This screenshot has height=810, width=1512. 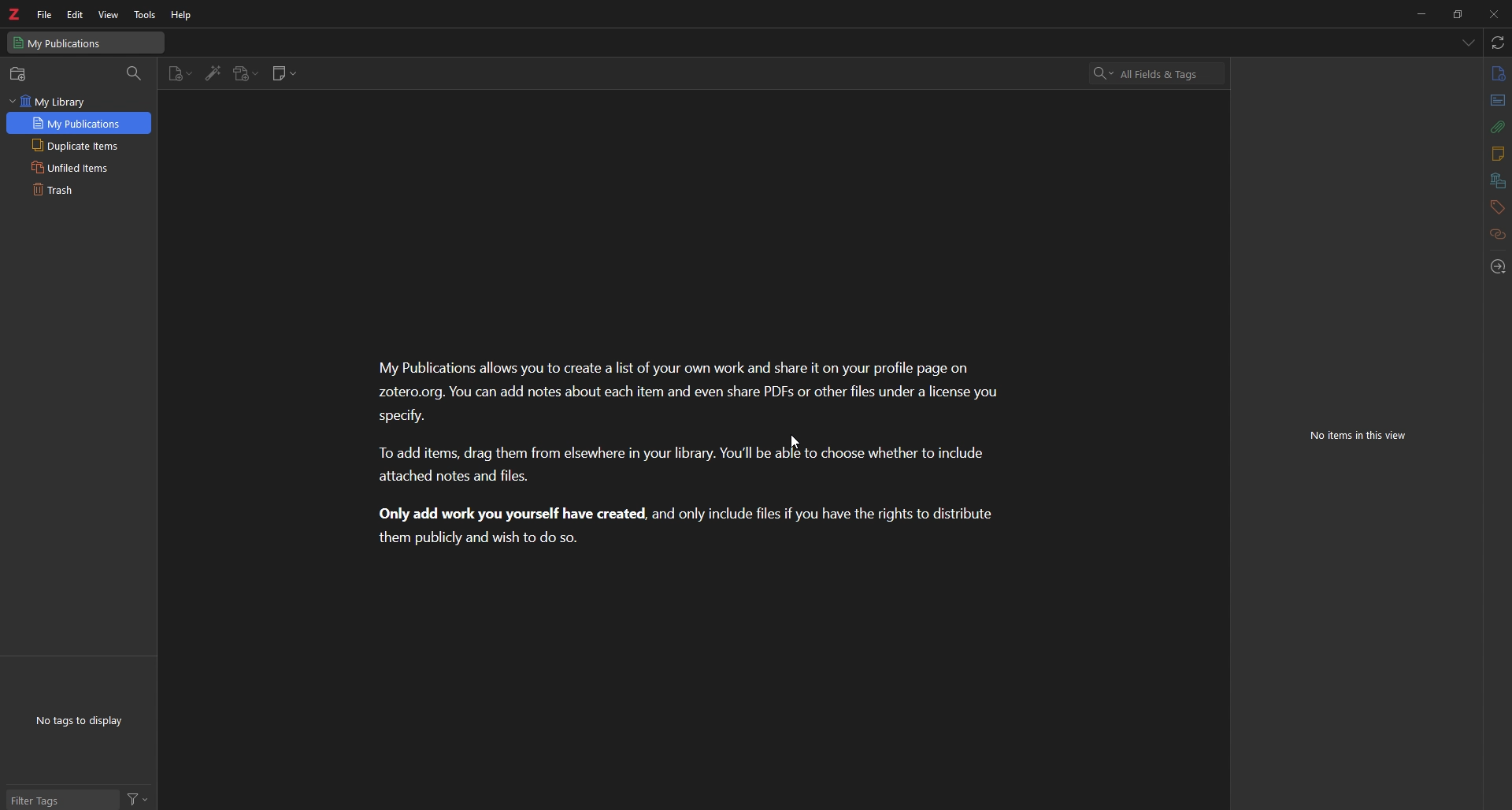 I want to click on Mouse Cursor, so click(x=797, y=442).